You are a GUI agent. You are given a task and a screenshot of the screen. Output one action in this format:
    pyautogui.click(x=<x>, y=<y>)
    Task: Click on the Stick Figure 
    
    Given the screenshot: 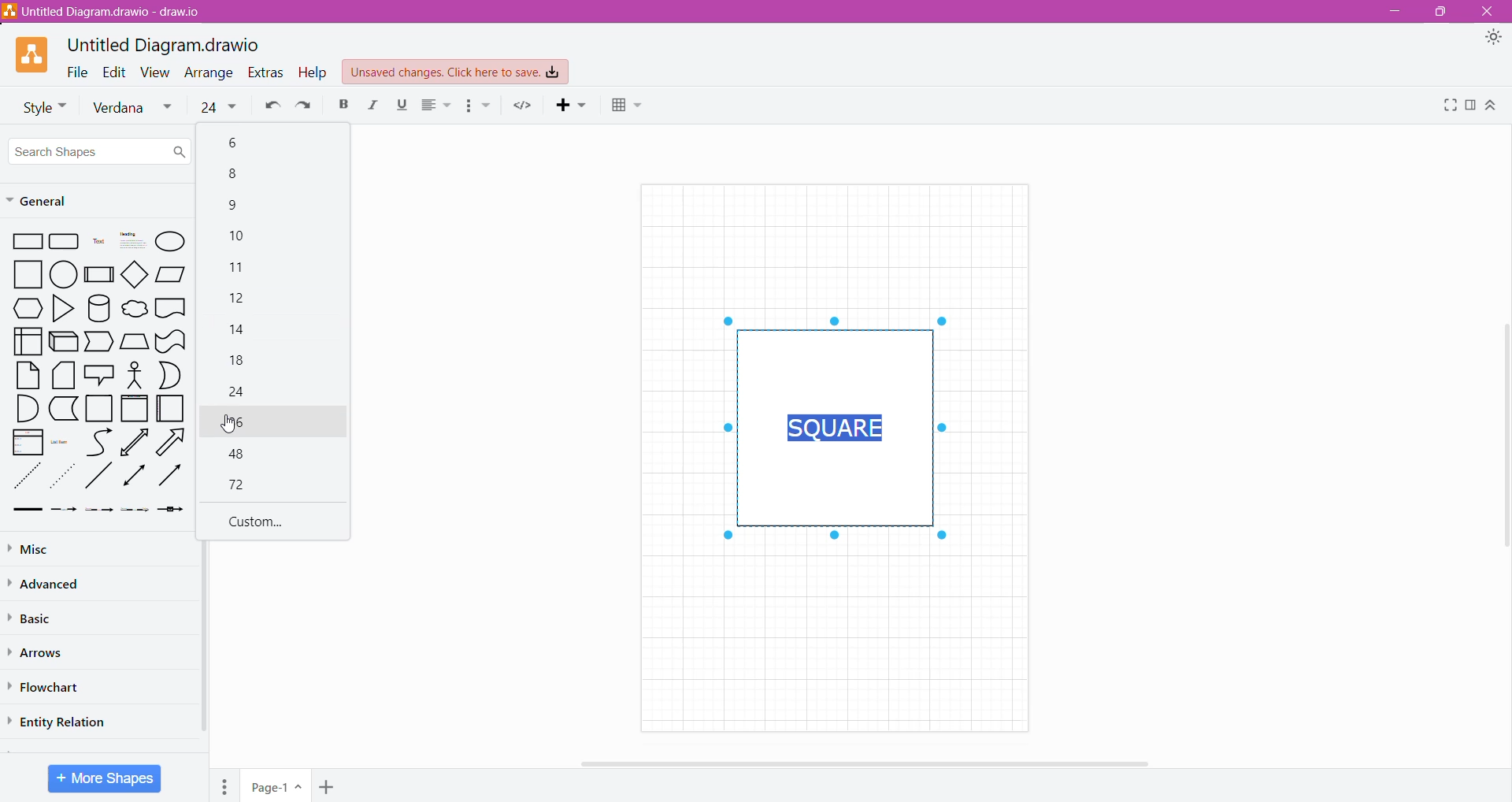 What is the action you would take?
    pyautogui.click(x=135, y=375)
    